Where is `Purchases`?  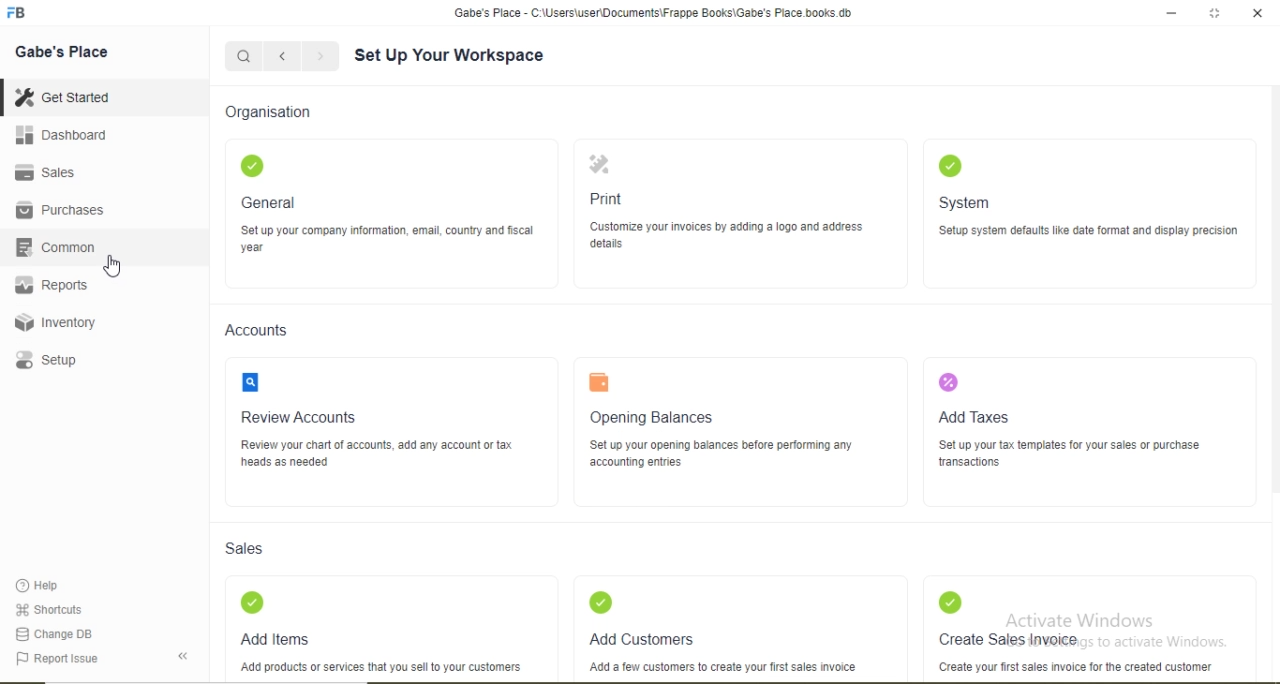 Purchases is located at coordinates (59, 210).